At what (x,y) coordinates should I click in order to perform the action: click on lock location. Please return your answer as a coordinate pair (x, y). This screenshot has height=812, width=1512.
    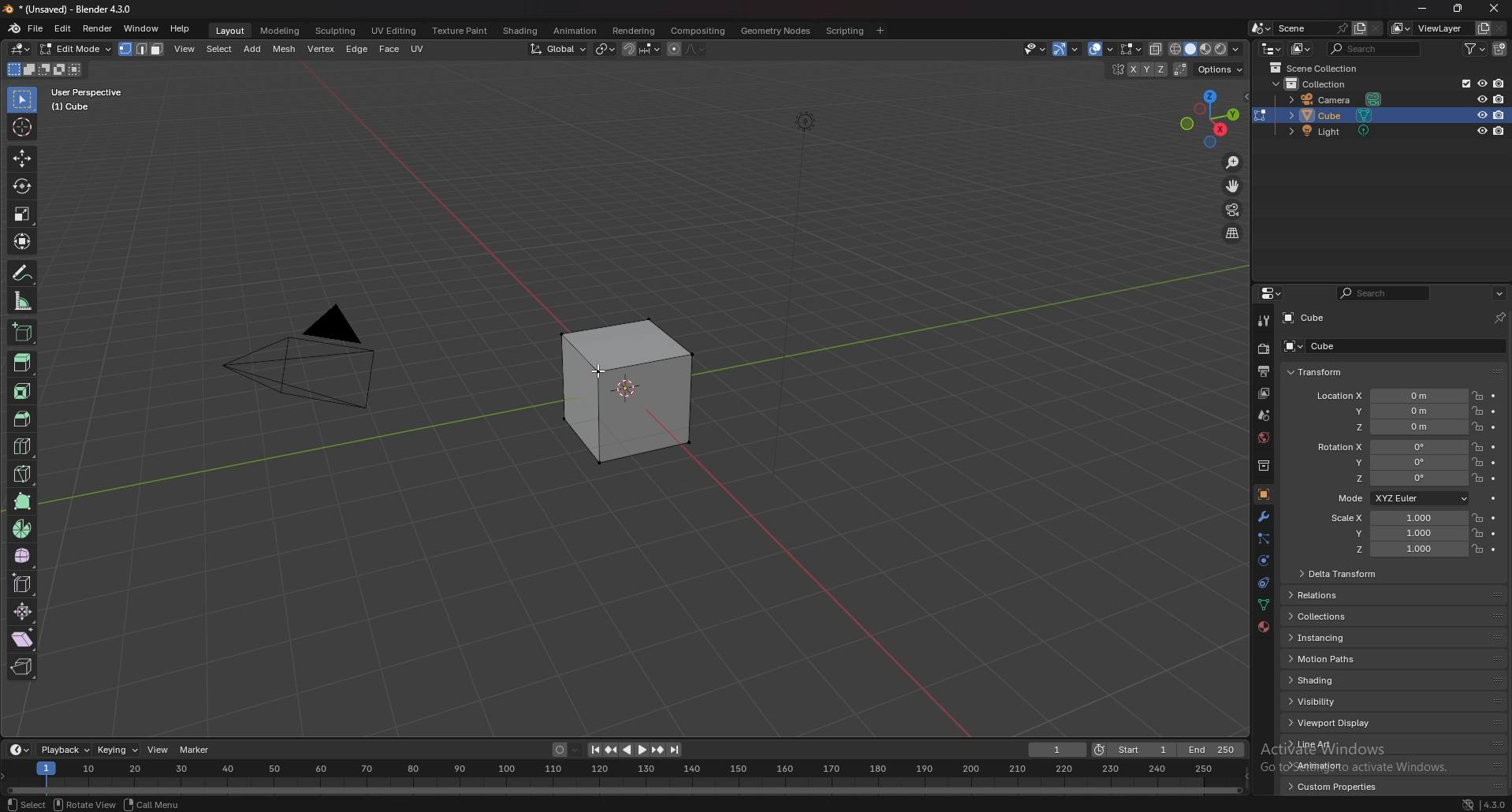
    Looking at the image, I should click on (1478, 462).